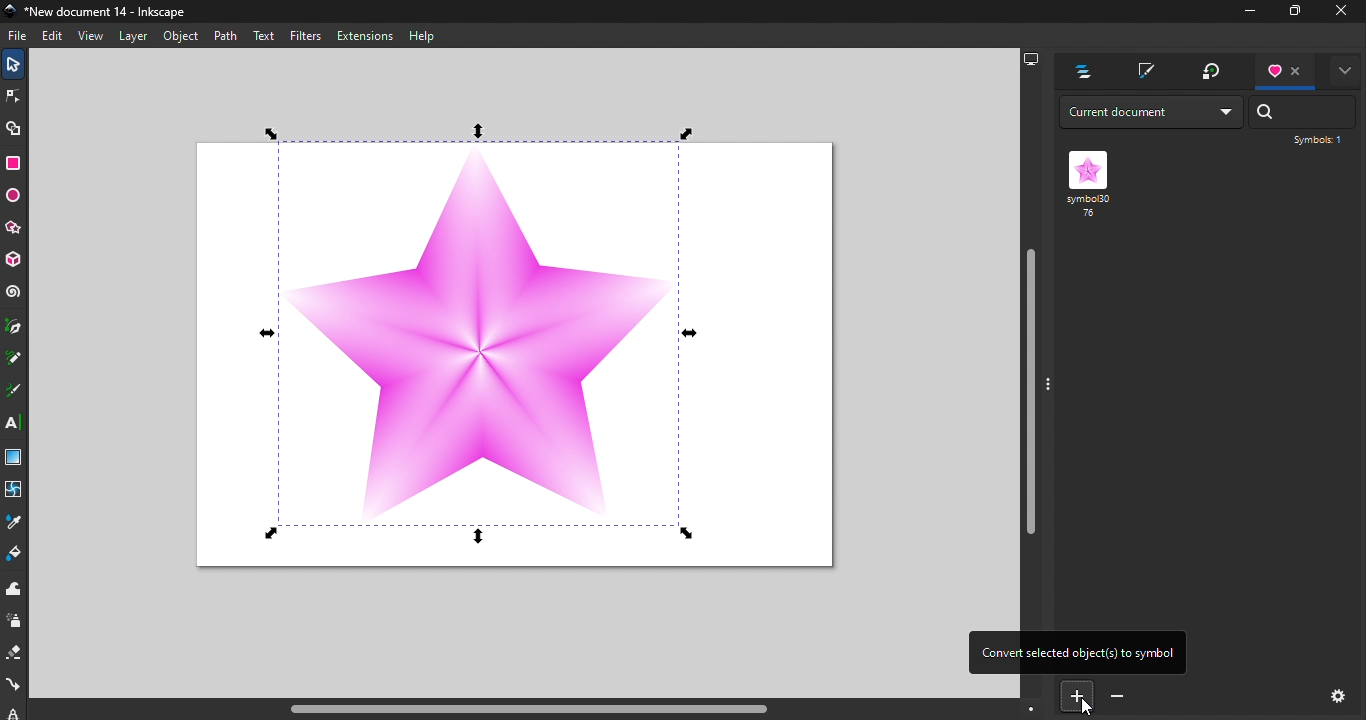  Describe the element at coordinates (14, 357) in the screenshot. I see `Pencil tool` at that location.